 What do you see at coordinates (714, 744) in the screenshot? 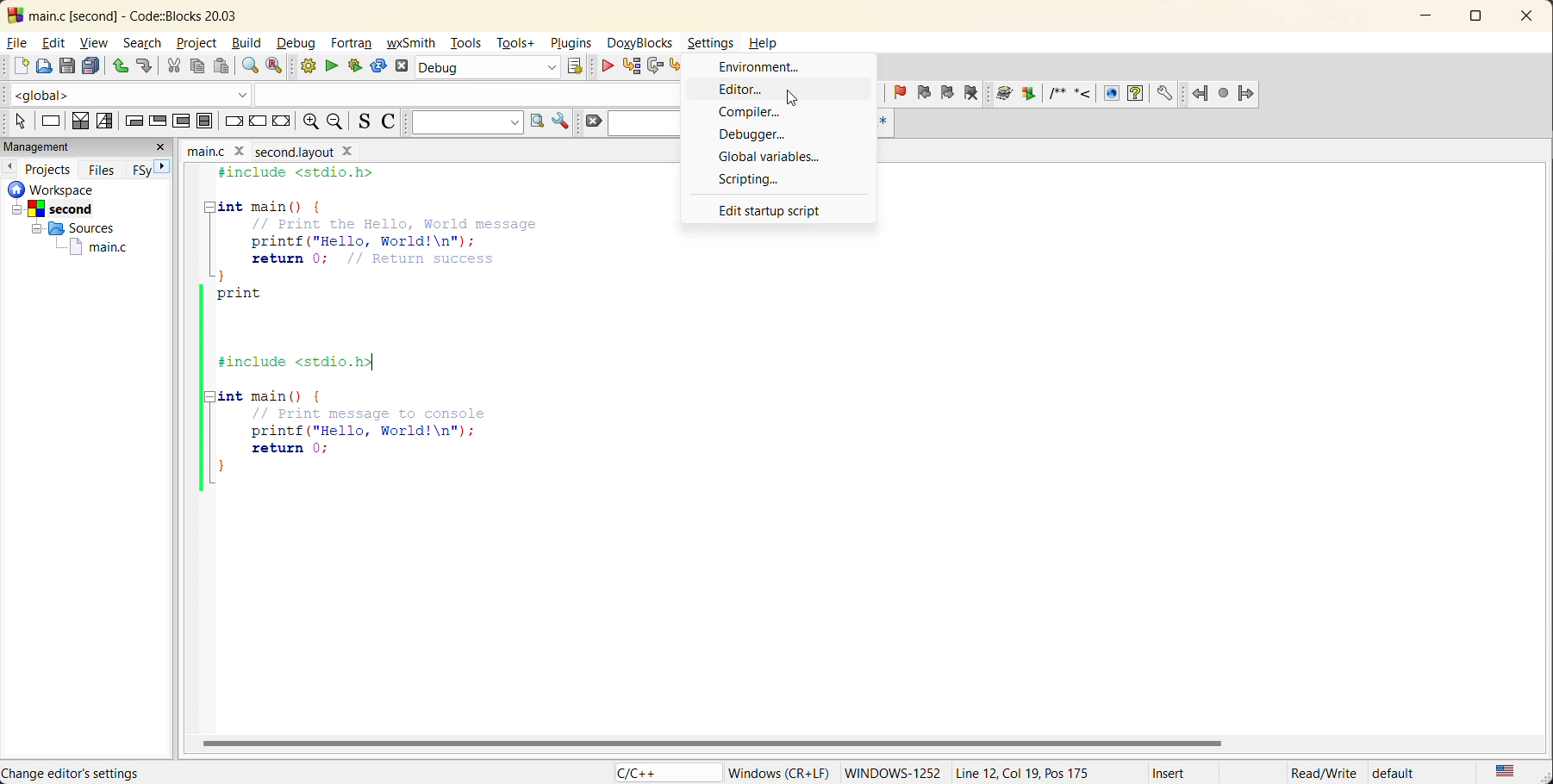
I see `horizontal scroll bar` at bounding box center [714, 744].